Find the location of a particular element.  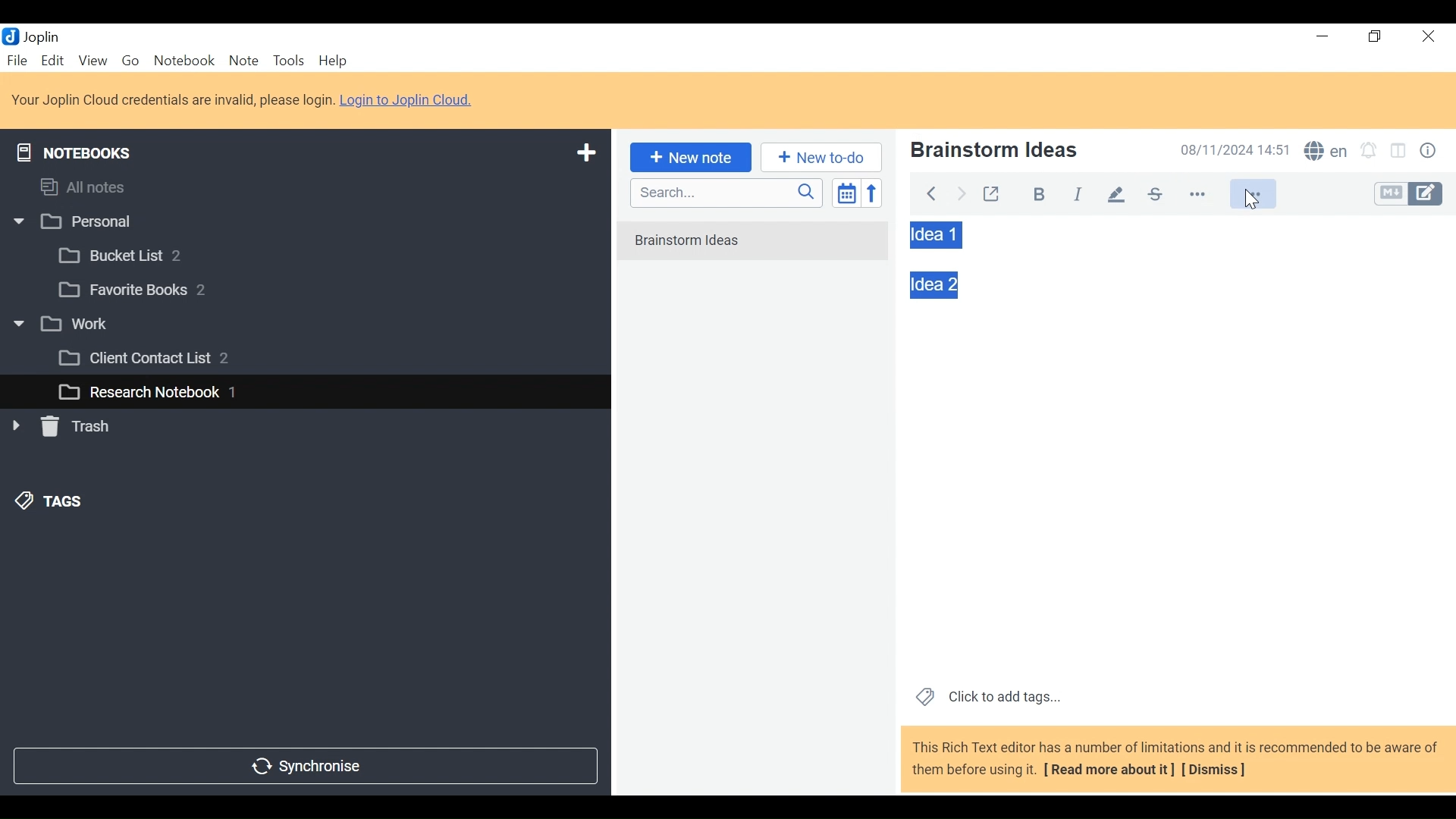

New note is located at coordinates (688, 156).